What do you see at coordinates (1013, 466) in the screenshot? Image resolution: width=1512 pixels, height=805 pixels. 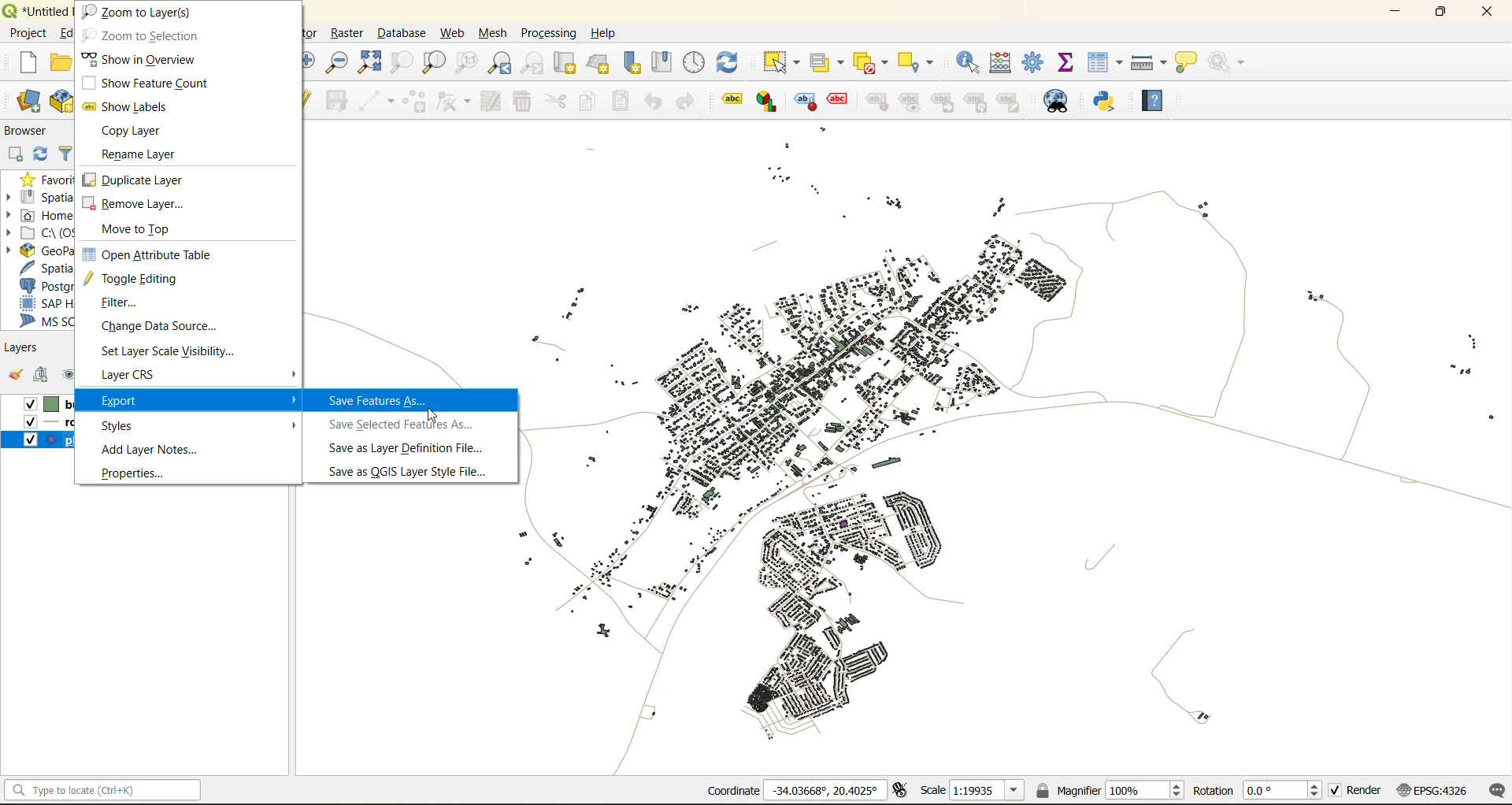 I see `map` at bounding box center [1013, 466].